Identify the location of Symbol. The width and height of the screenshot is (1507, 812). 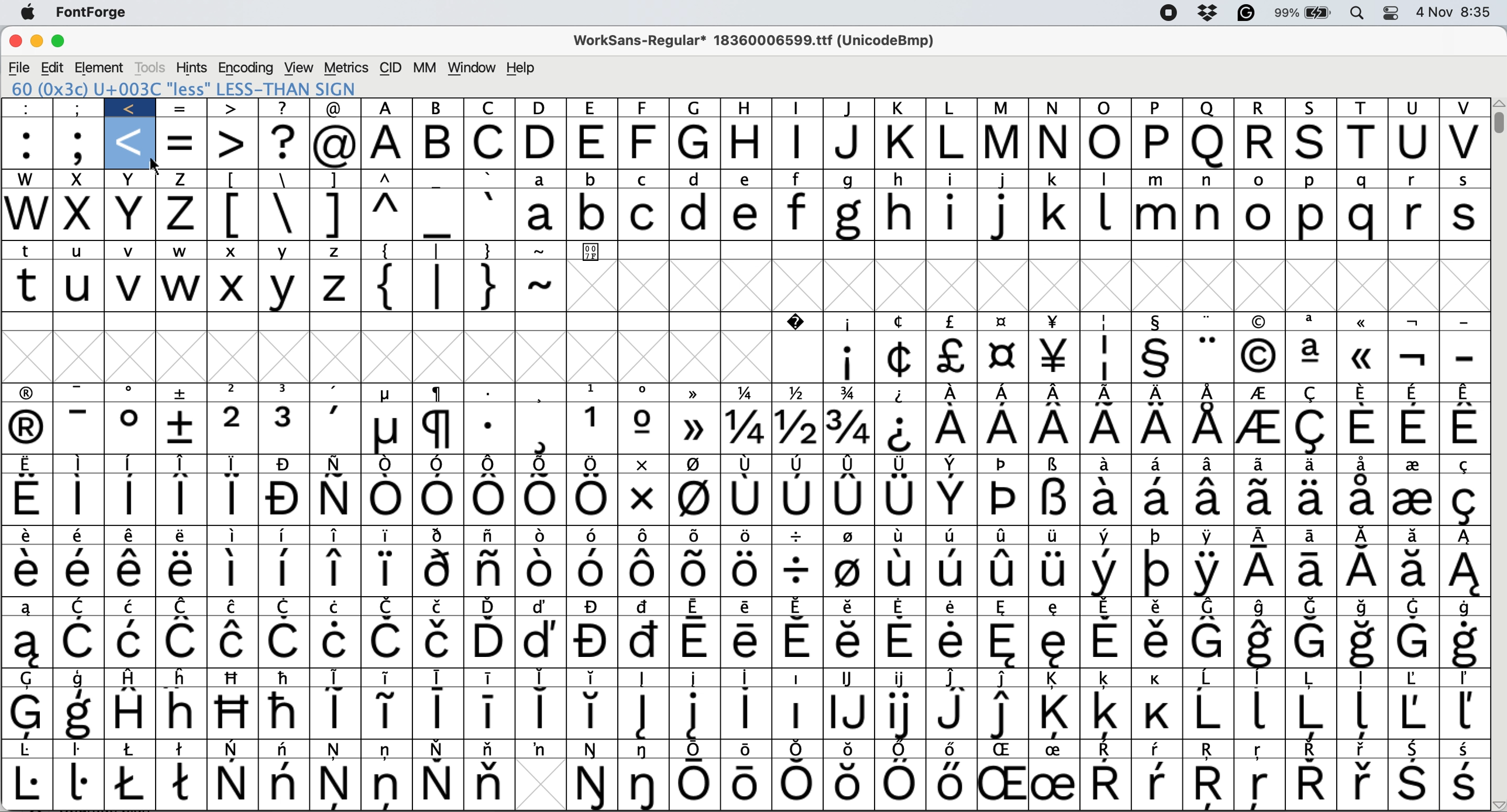
(1106, 572).